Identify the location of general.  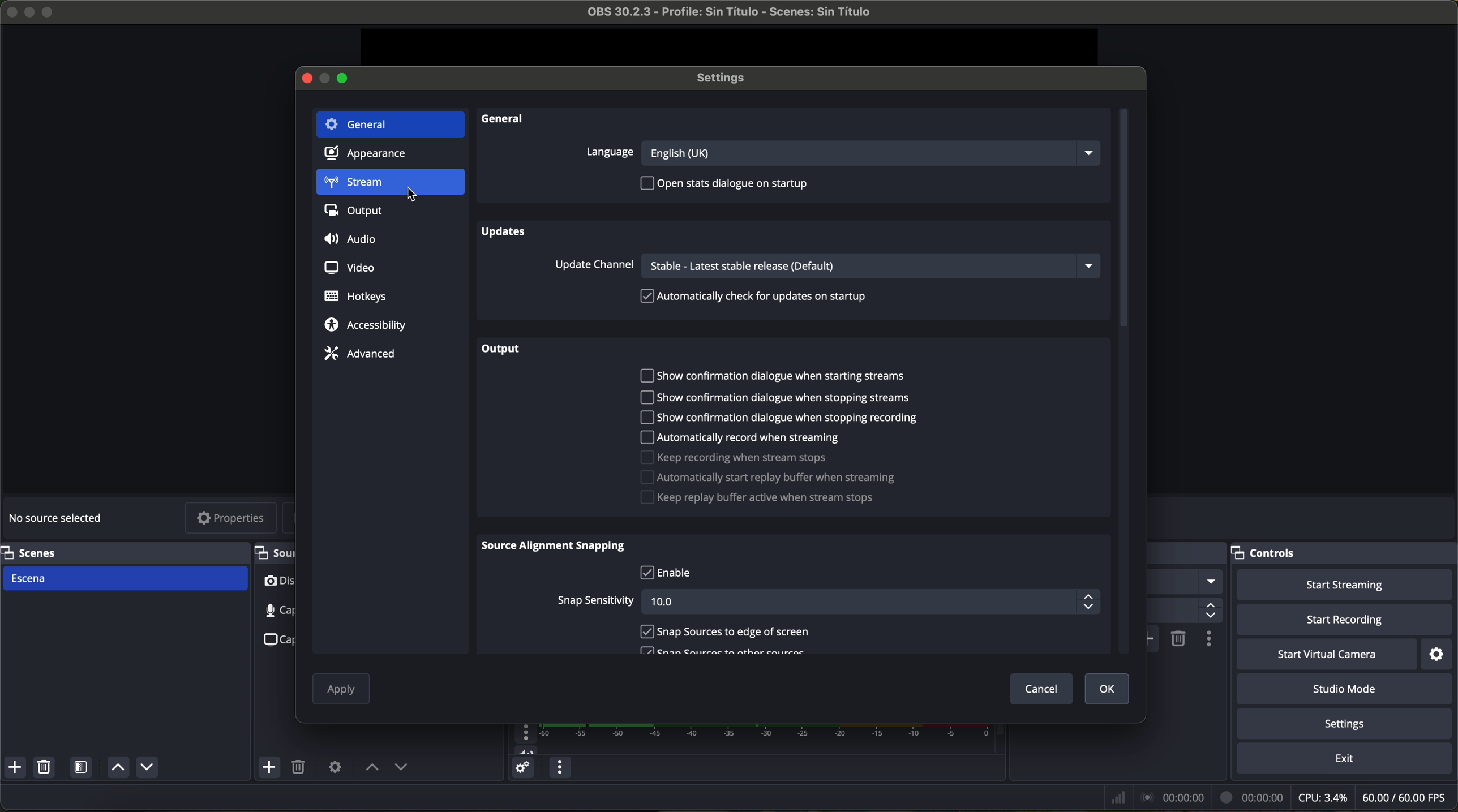
(505, 119).